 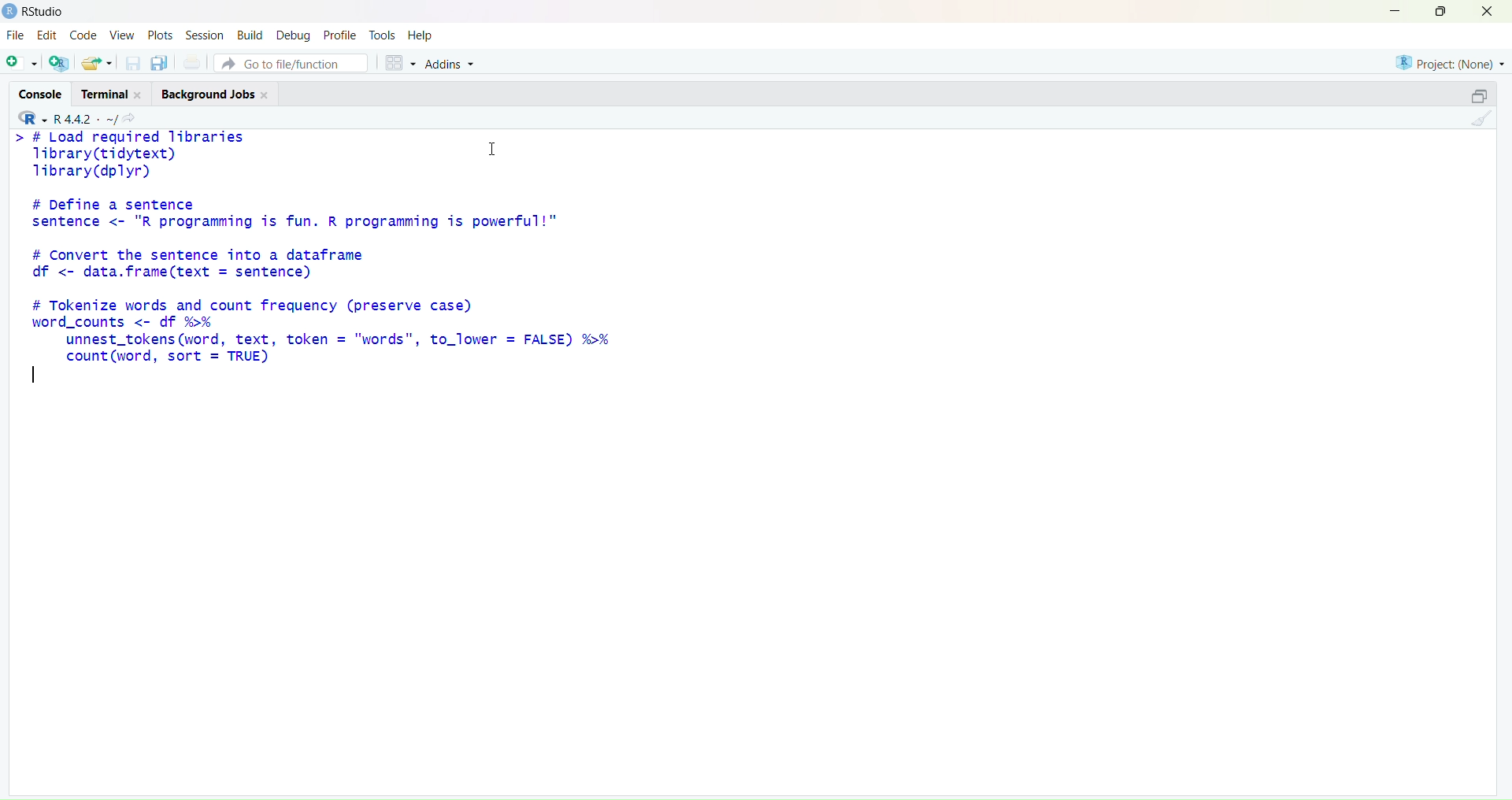 I want to click on save all open documents, so click(x=161, y=63).